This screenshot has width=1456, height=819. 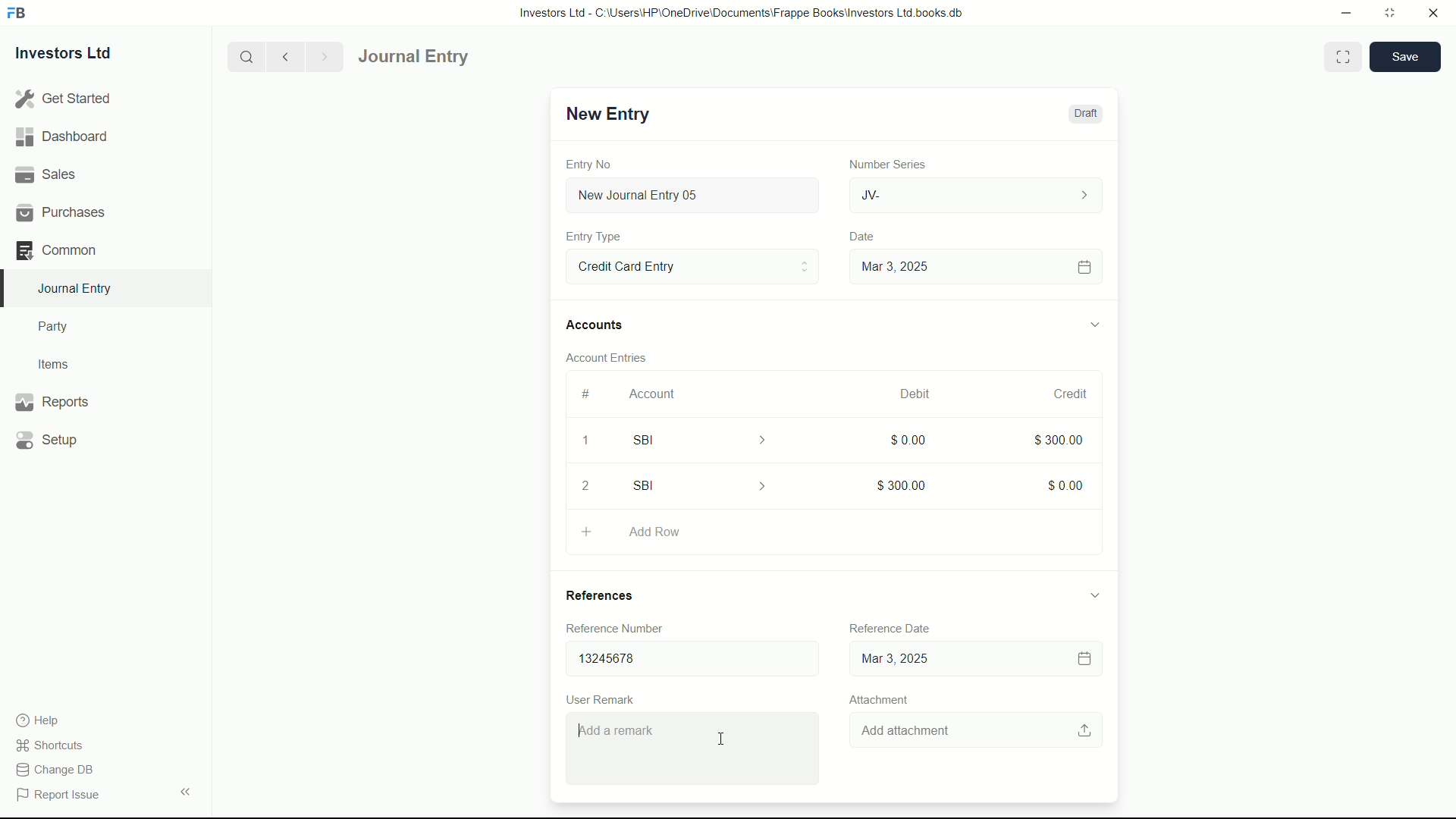 I want to click on credit, so click(x=1072, y=394).